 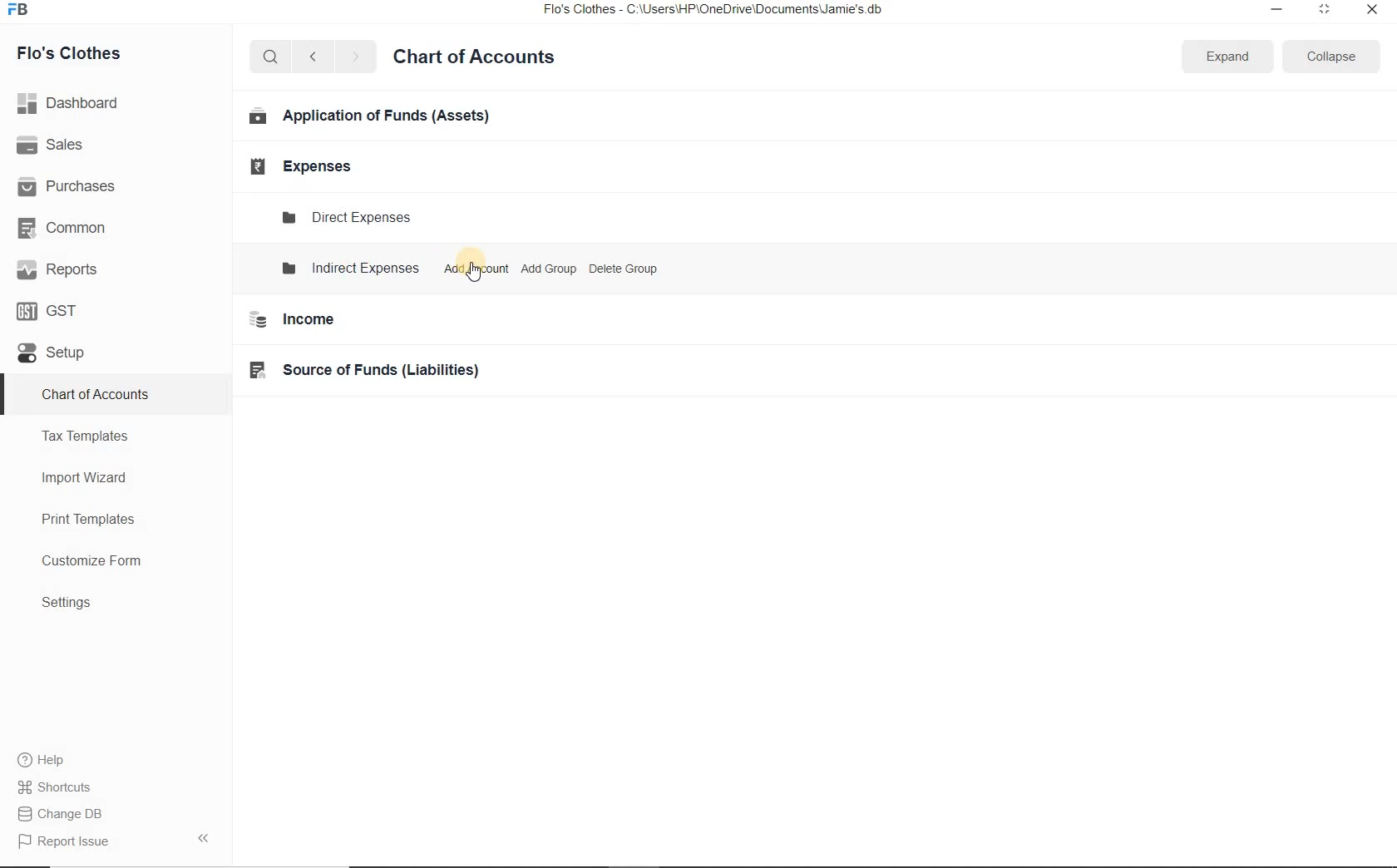 I want to click on set up, so click(x=52, y=354).